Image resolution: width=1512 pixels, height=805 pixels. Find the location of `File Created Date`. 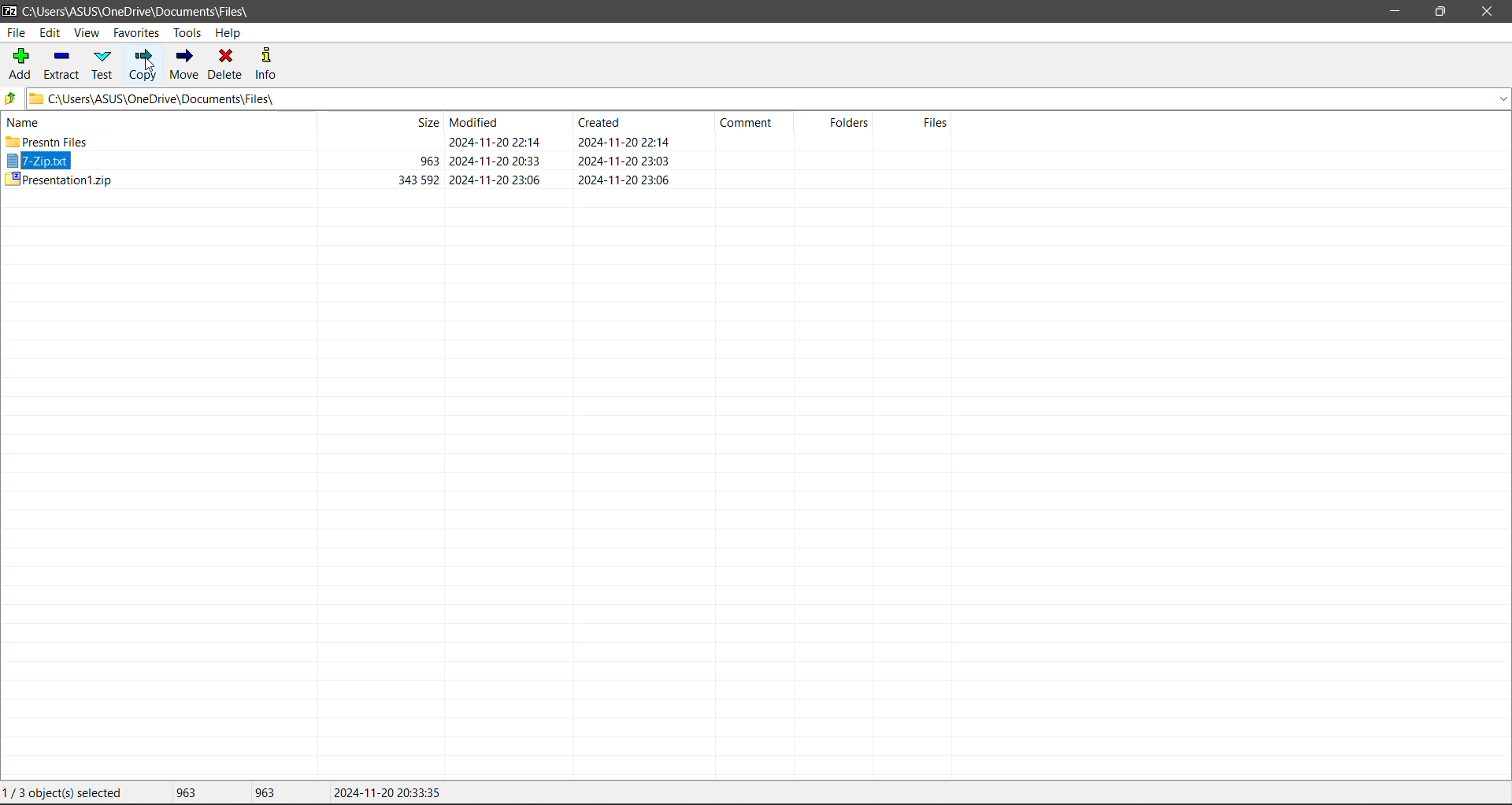

File Created Date is located at coordinates (624, 151).